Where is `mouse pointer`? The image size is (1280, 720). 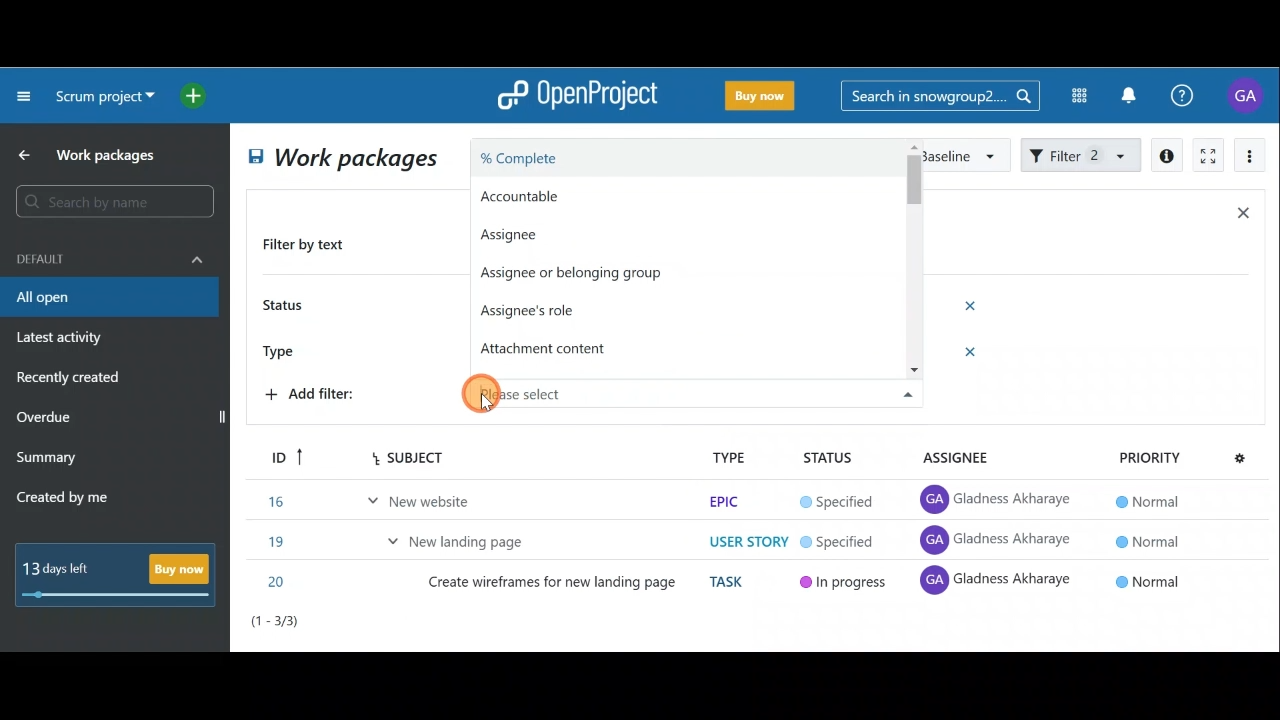 mouse pointer is located at coordinates (487, 403).